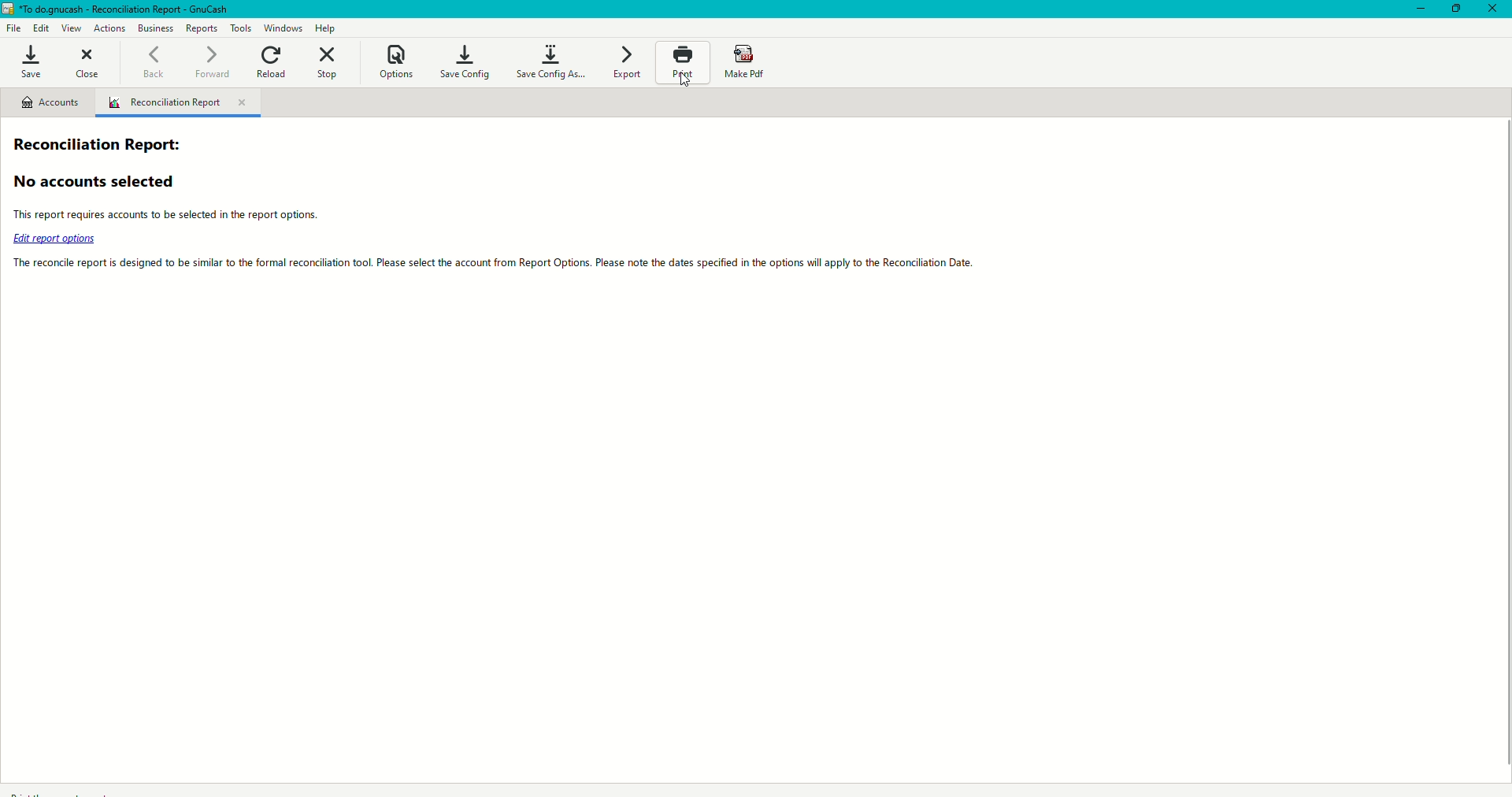 This screenshot has height=797, width=1512. I want to click on Export, so click(631, 62).